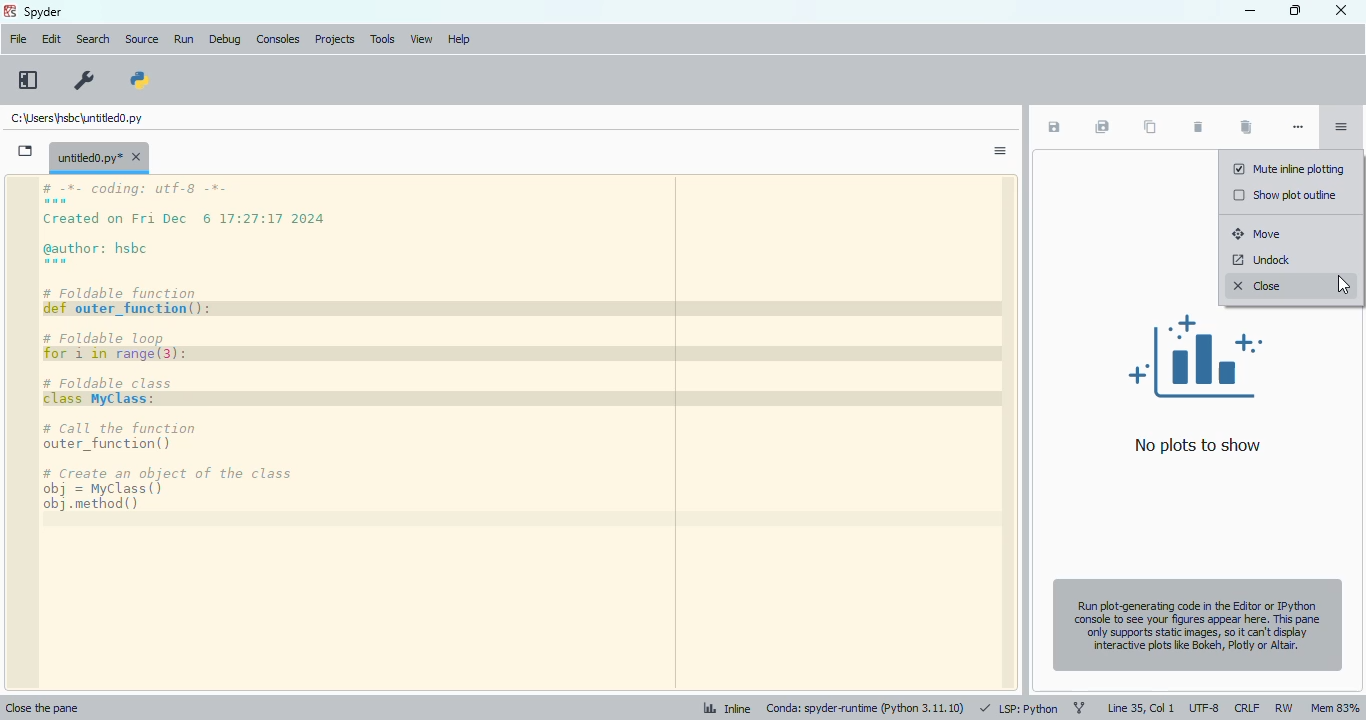 This screenshot has height=720, width=1366. I want to click on mute inline plotting, so click(1288, 169).